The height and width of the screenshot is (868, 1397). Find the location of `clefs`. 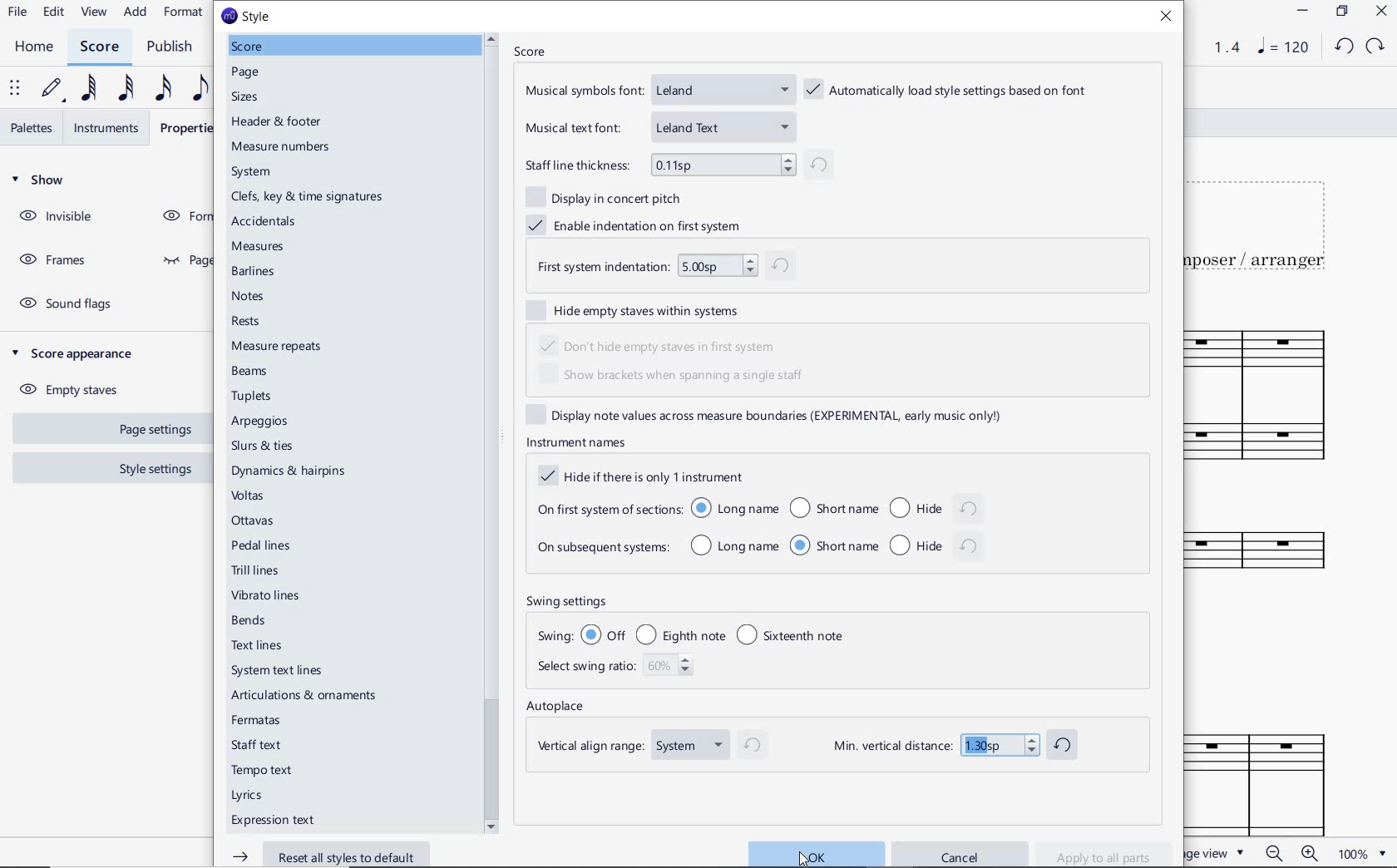

clefs is located at coordinates (306, 198).